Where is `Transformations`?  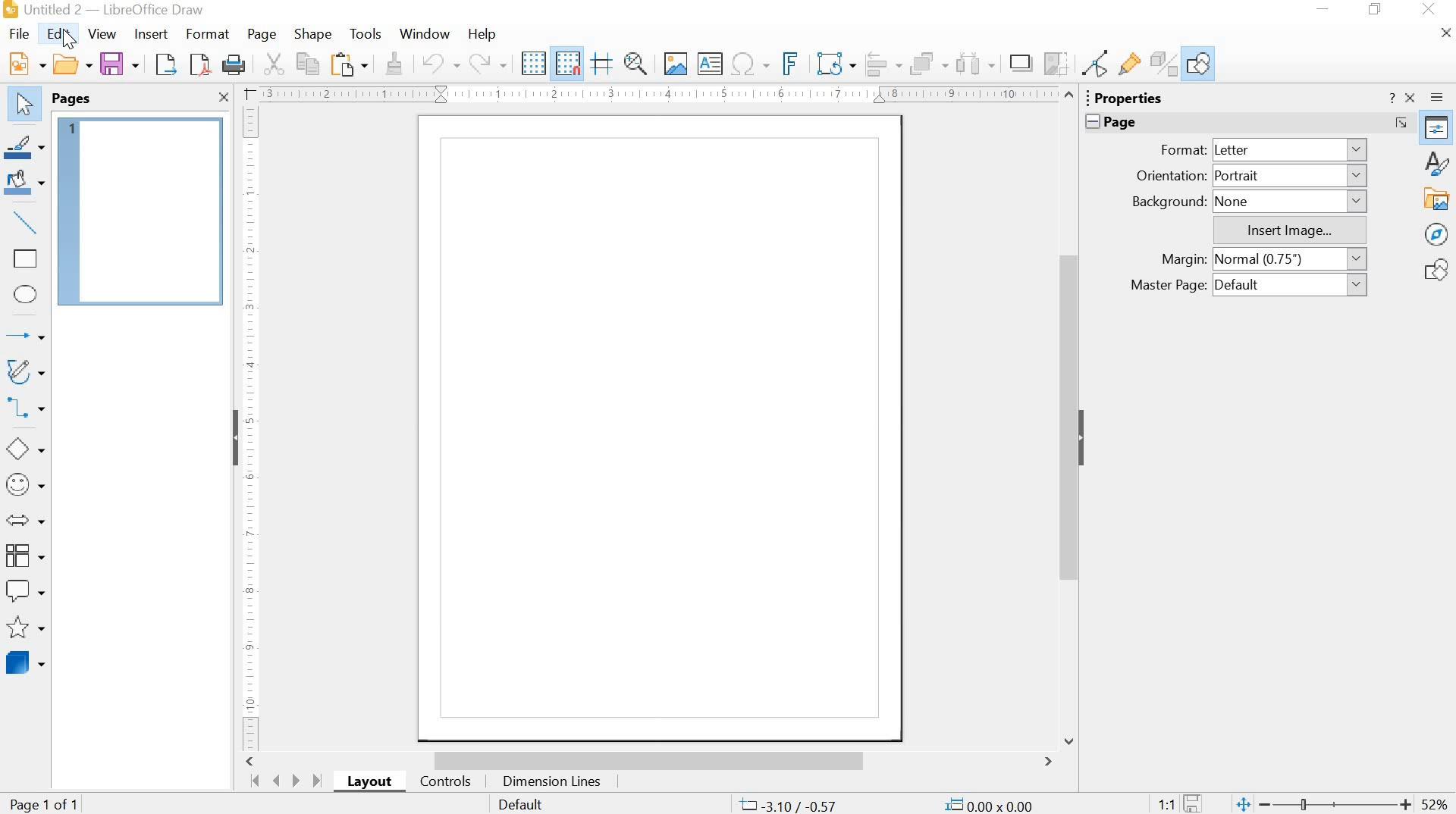
Transformations is located at coordinates (833, 63).